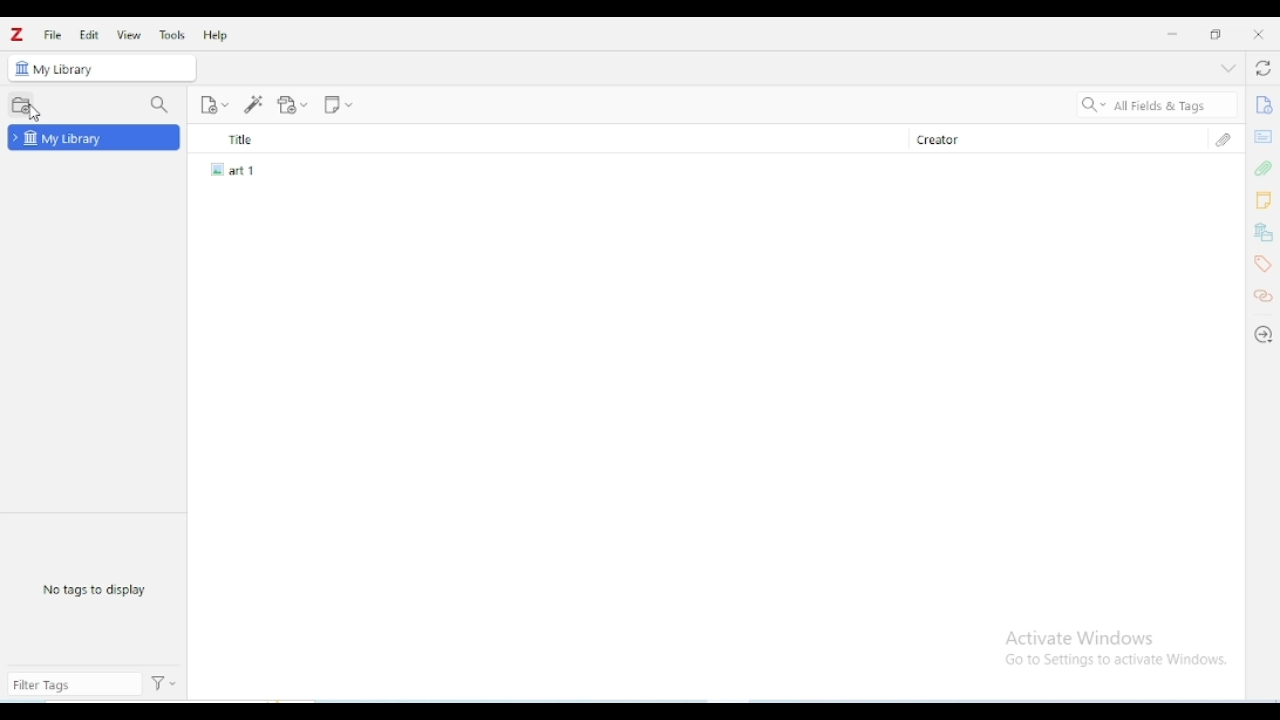 This screenshot has height=720, width=1280. I want to click on my library, so click(113, 67).